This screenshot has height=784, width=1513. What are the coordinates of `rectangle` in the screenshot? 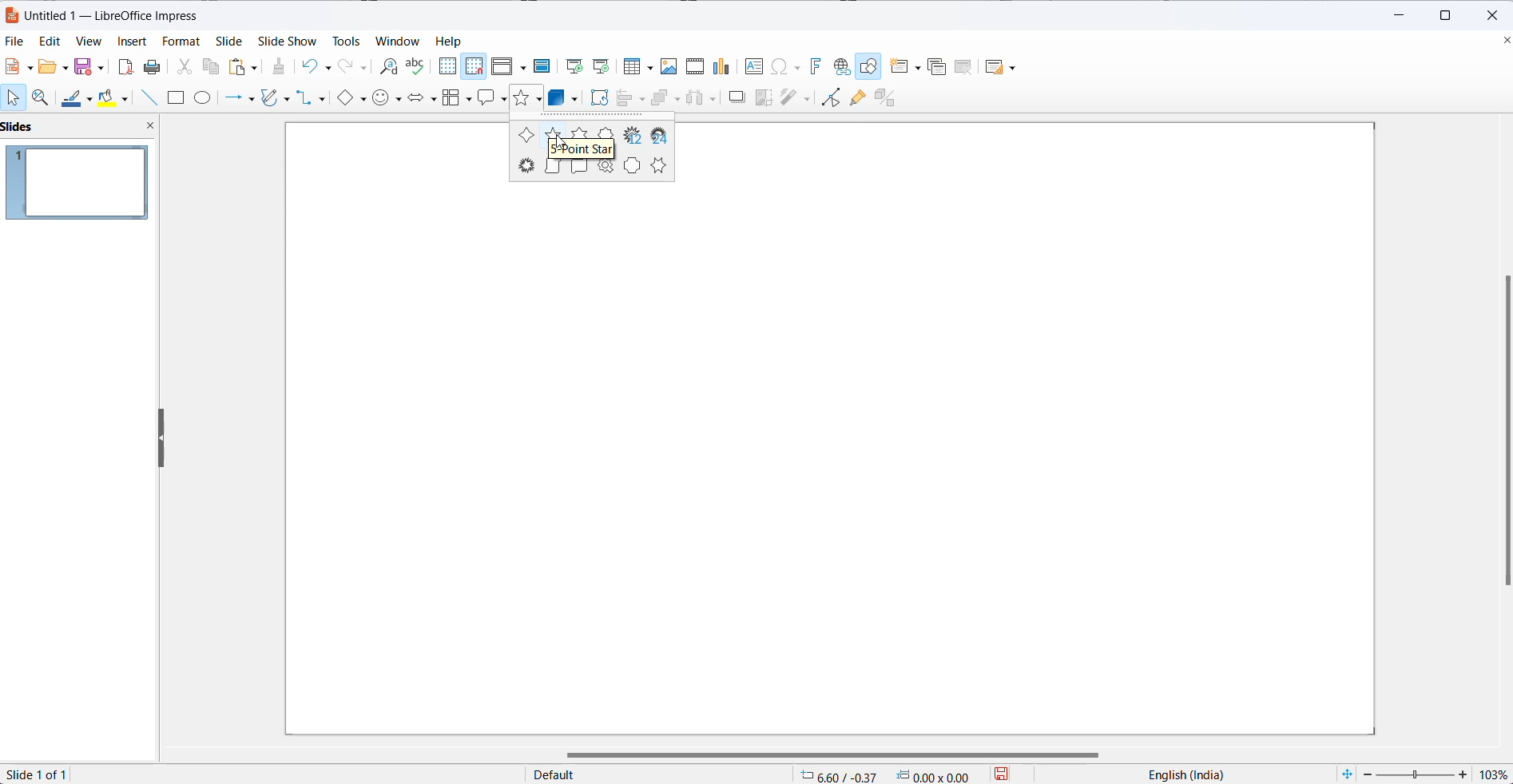 It's located at (178, 99).